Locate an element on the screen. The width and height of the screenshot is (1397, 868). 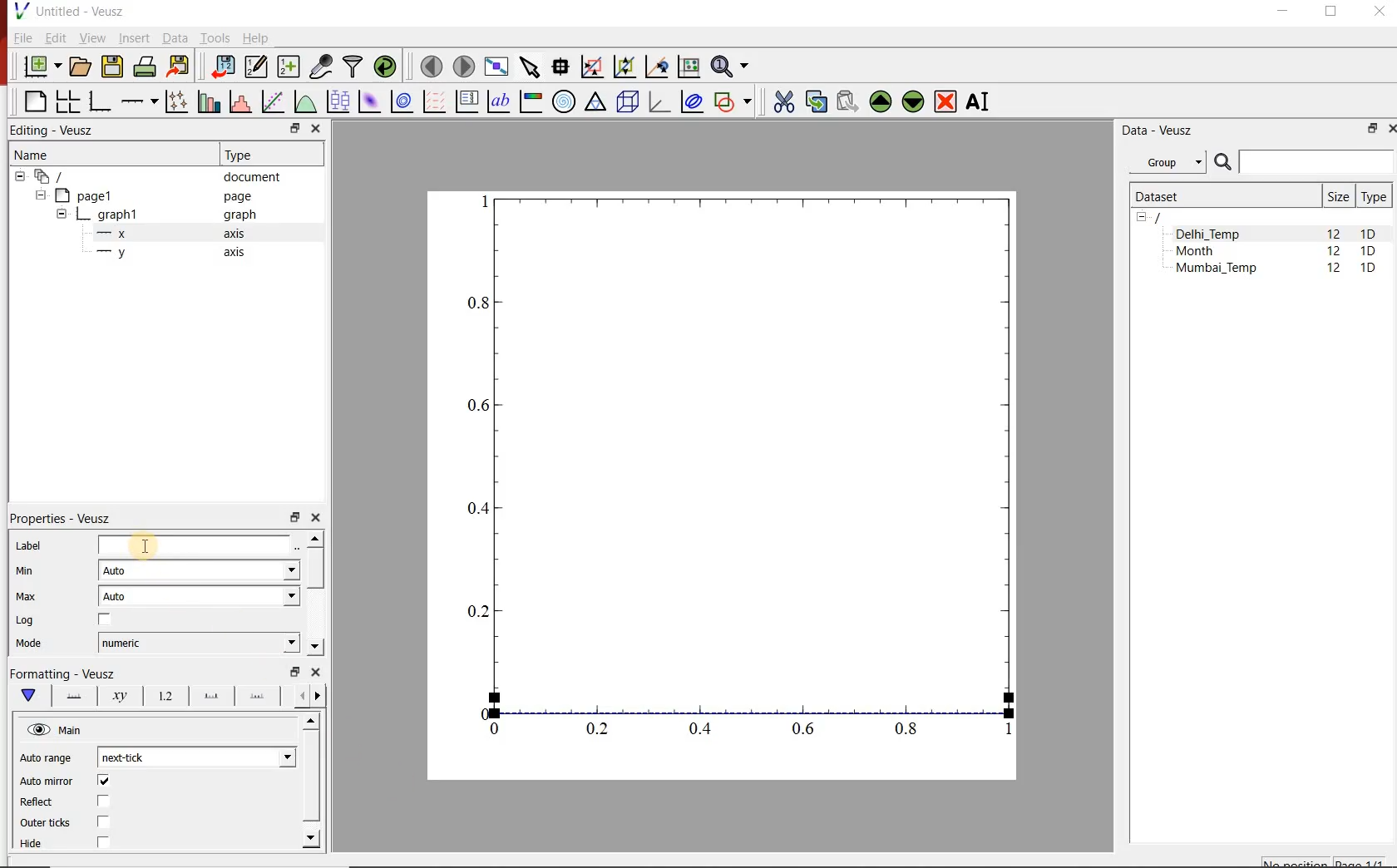
Data is located at coordinates (174, 37).